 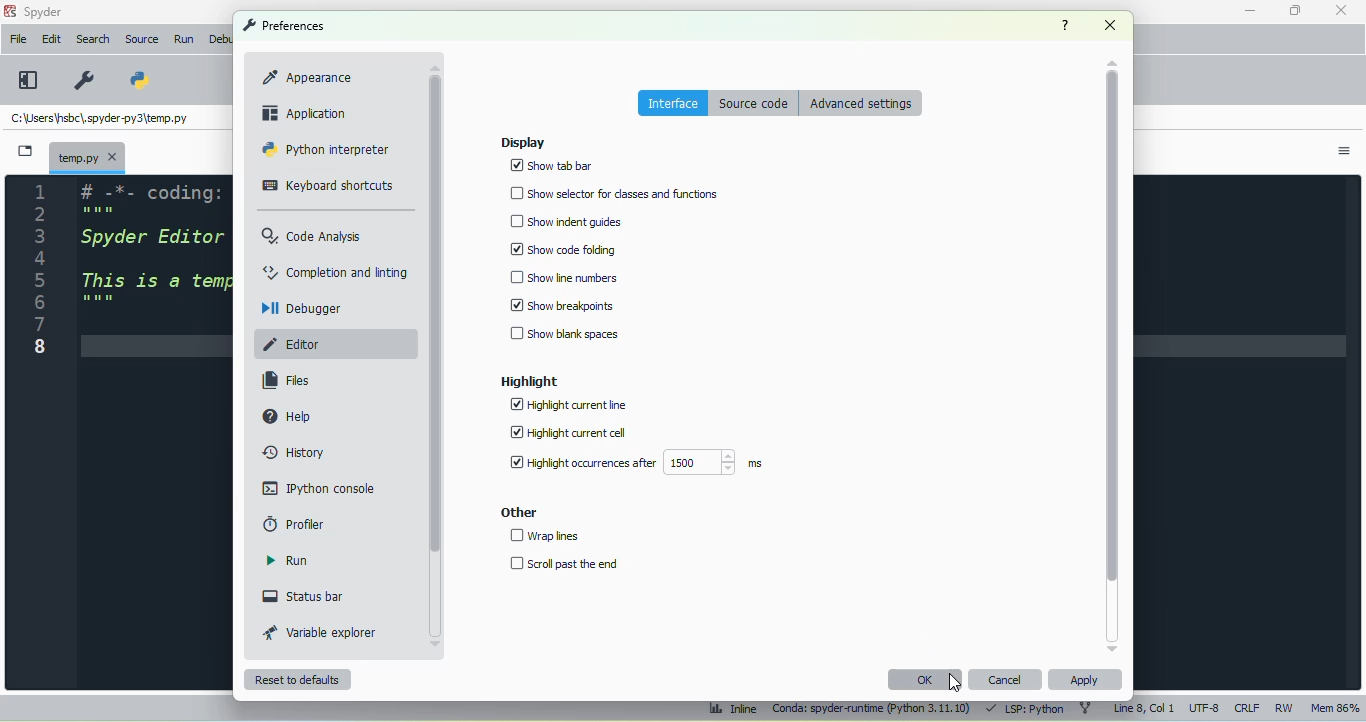 I want to click on other, so click(x=518, y=513).